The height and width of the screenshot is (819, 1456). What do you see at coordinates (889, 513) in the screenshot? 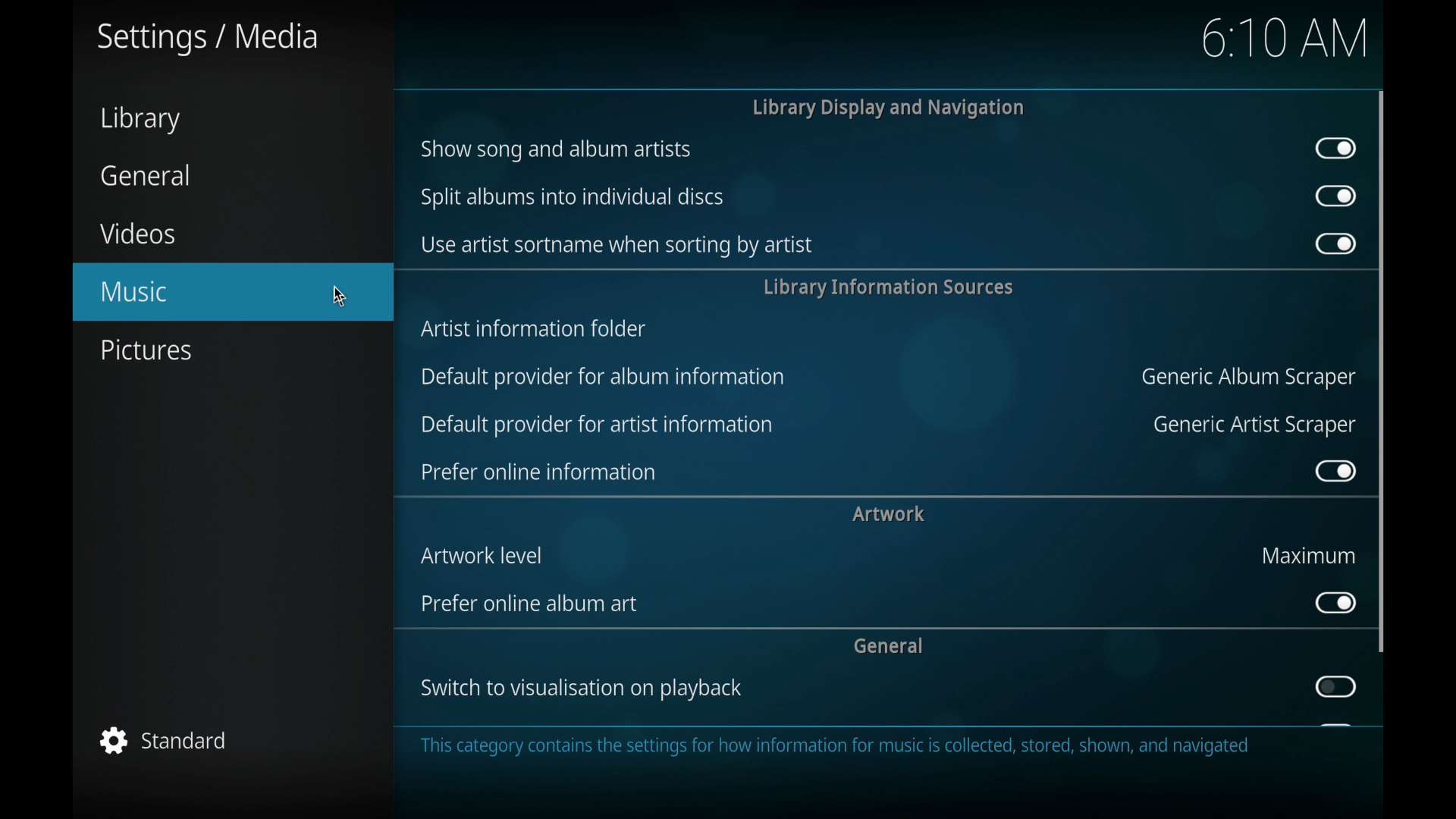
I see `artwork` at bounding box center [889, 513].